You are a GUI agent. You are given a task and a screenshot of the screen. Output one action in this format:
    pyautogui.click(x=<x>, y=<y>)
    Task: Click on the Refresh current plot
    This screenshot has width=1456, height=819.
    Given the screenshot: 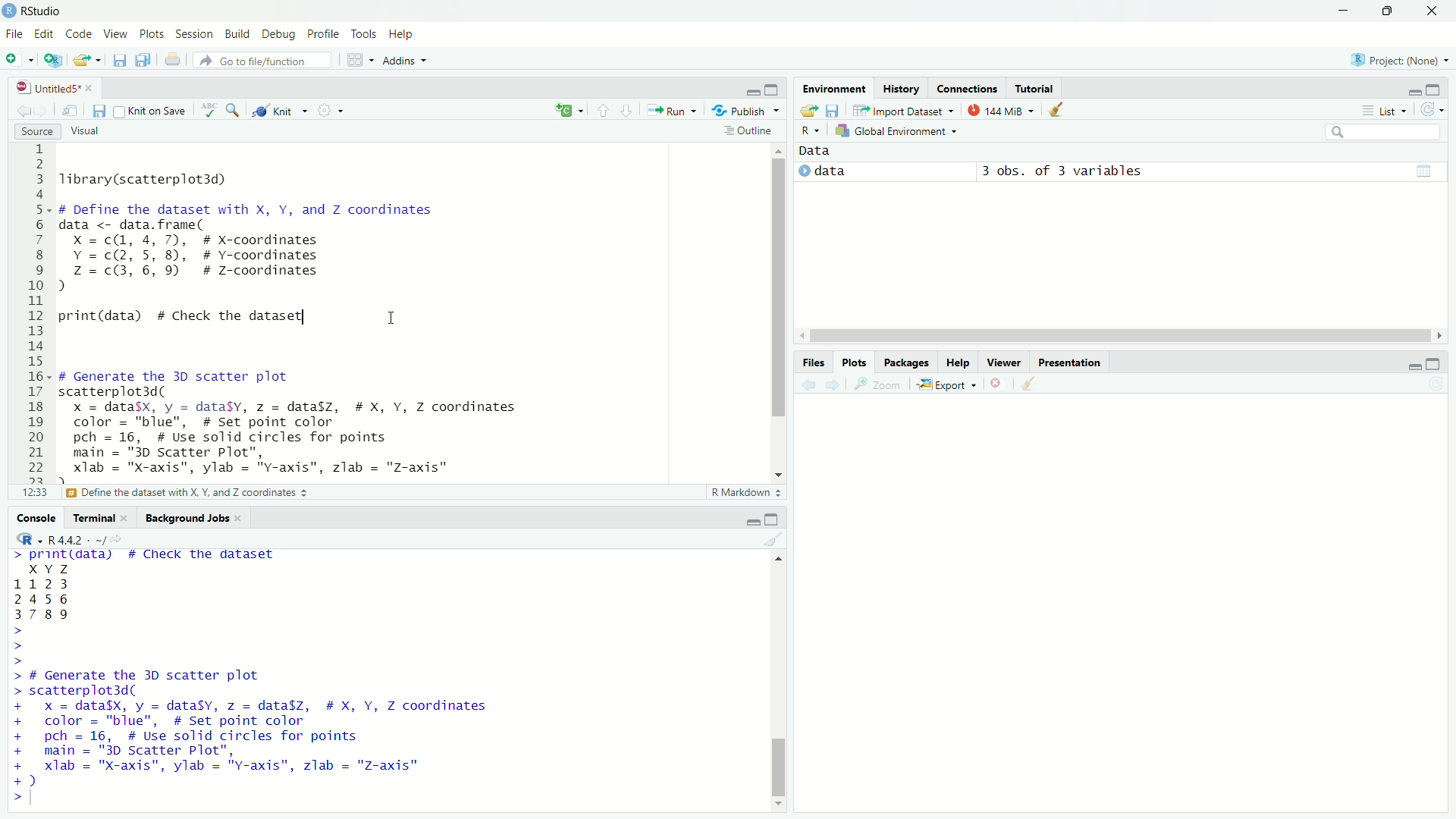 What is the action you would take?
    pyautogui.click(x=1433, y=386)
    